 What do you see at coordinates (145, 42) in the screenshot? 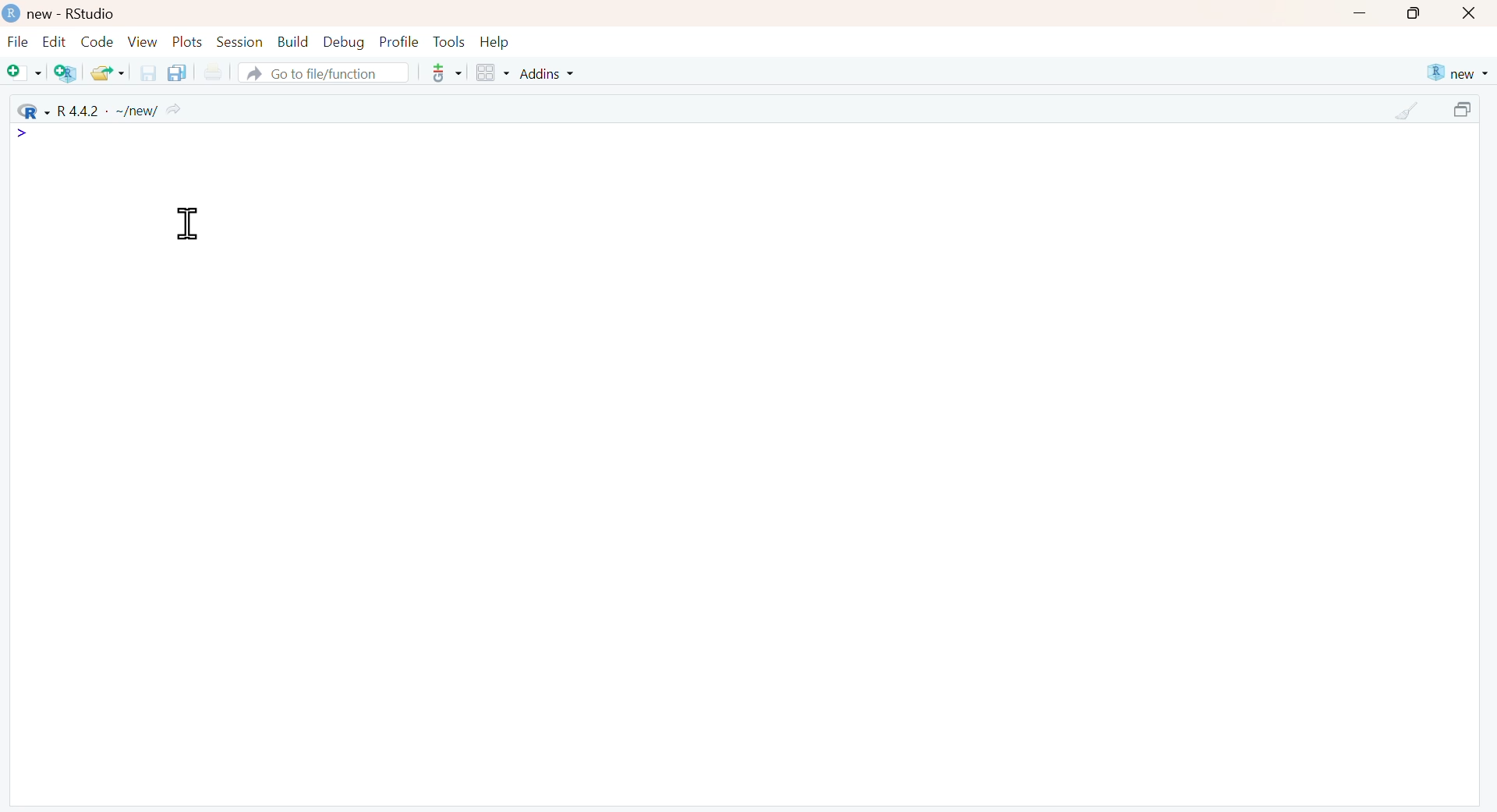
I see `View` at bounding box center [145, 42].